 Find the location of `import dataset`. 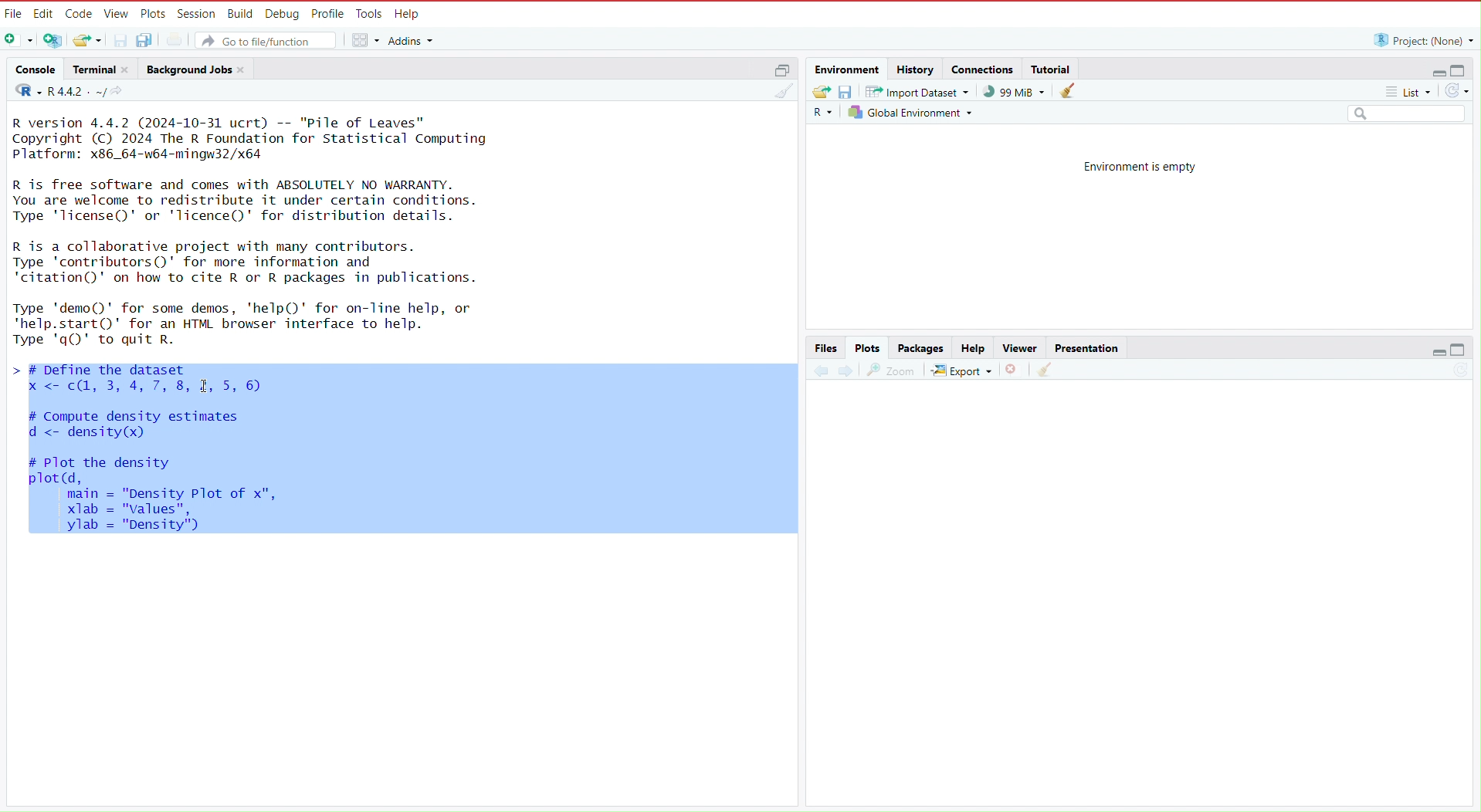

import dataset is located at coordinates (917, 93).